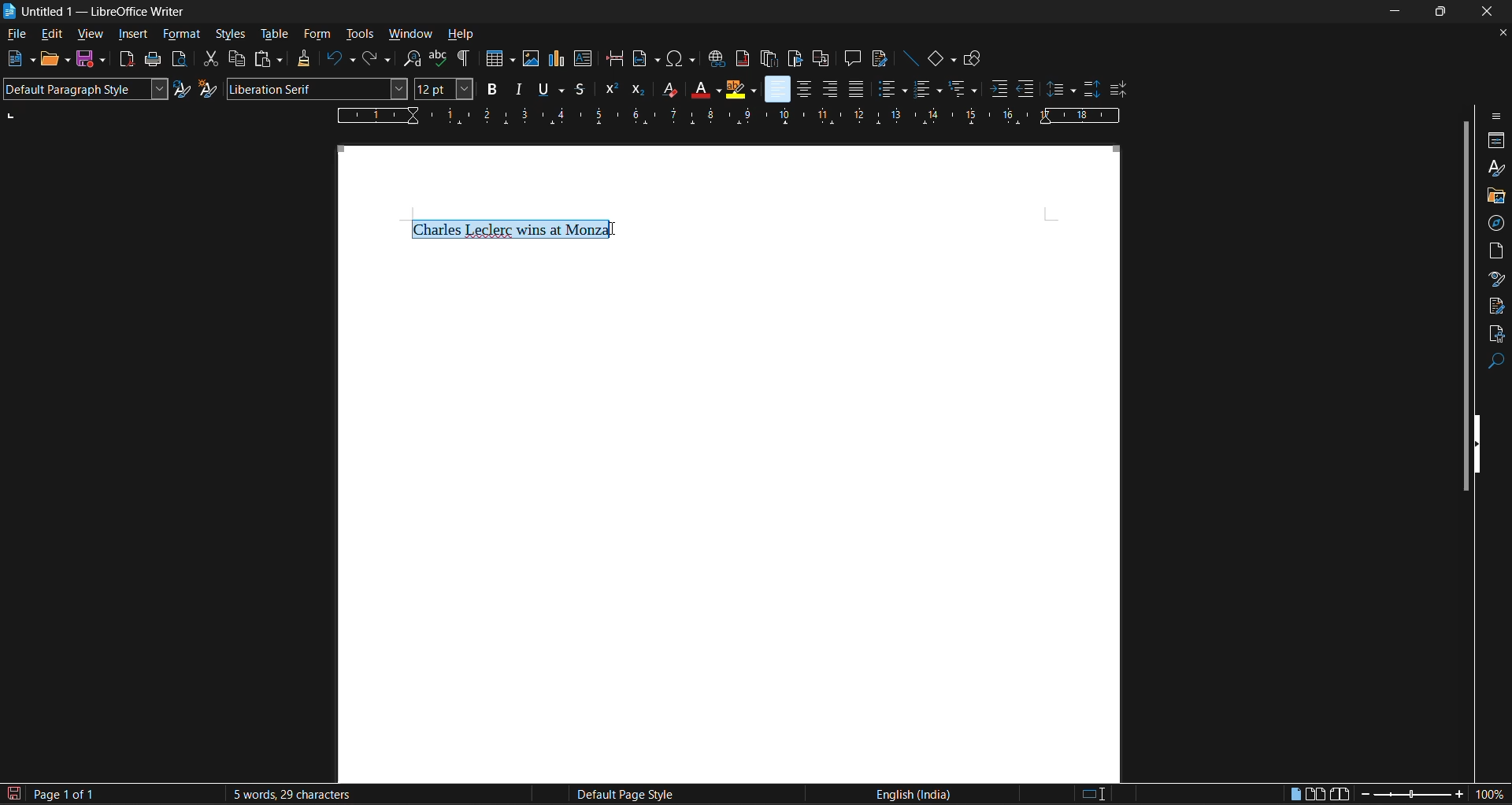 The width and height of the screenshot is (1512, 805). Describe the element at coordinates (997, 90) in the screenshot. I see `increase indent` at that location.